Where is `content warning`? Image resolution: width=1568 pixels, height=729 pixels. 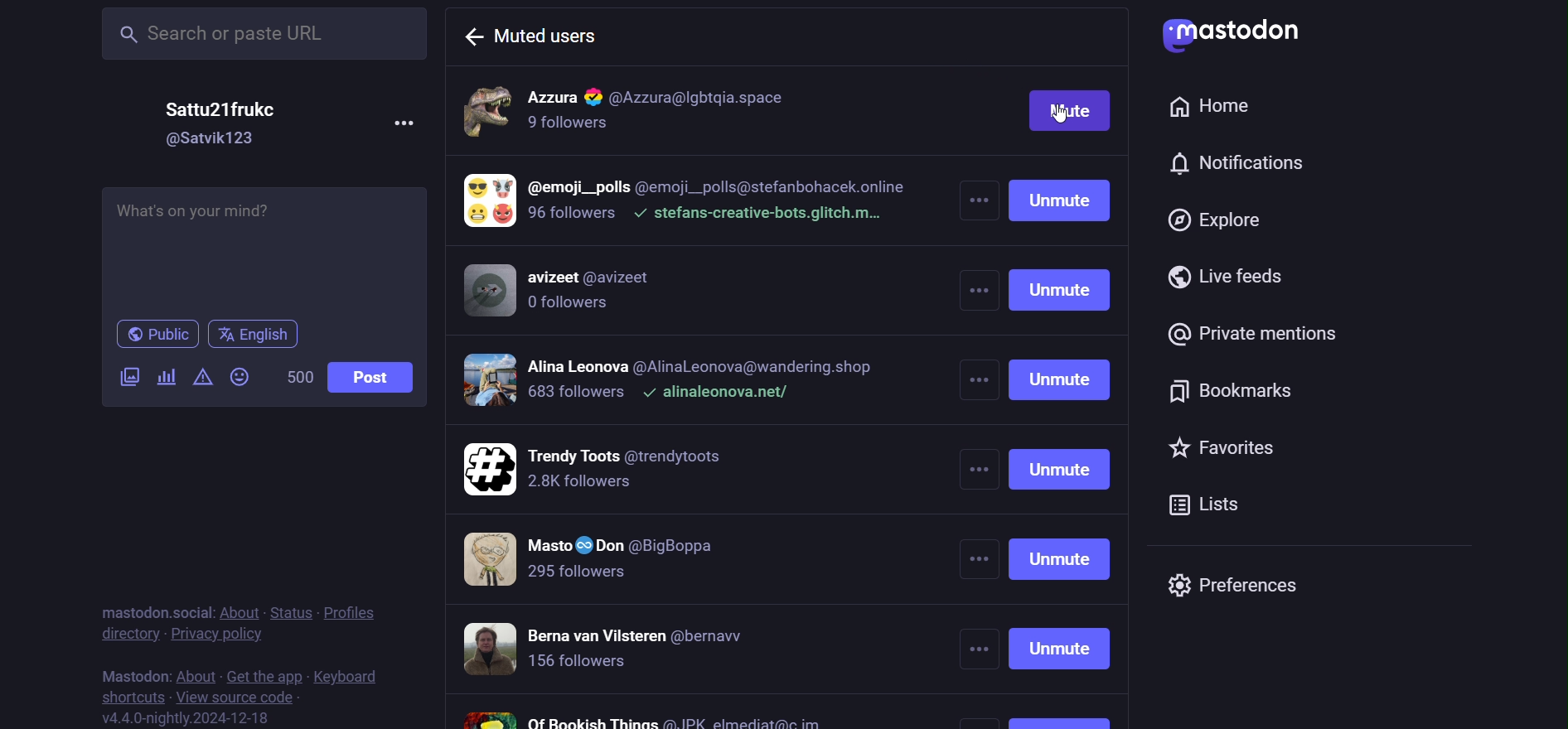 content warning is located at coordinates (204, 376).